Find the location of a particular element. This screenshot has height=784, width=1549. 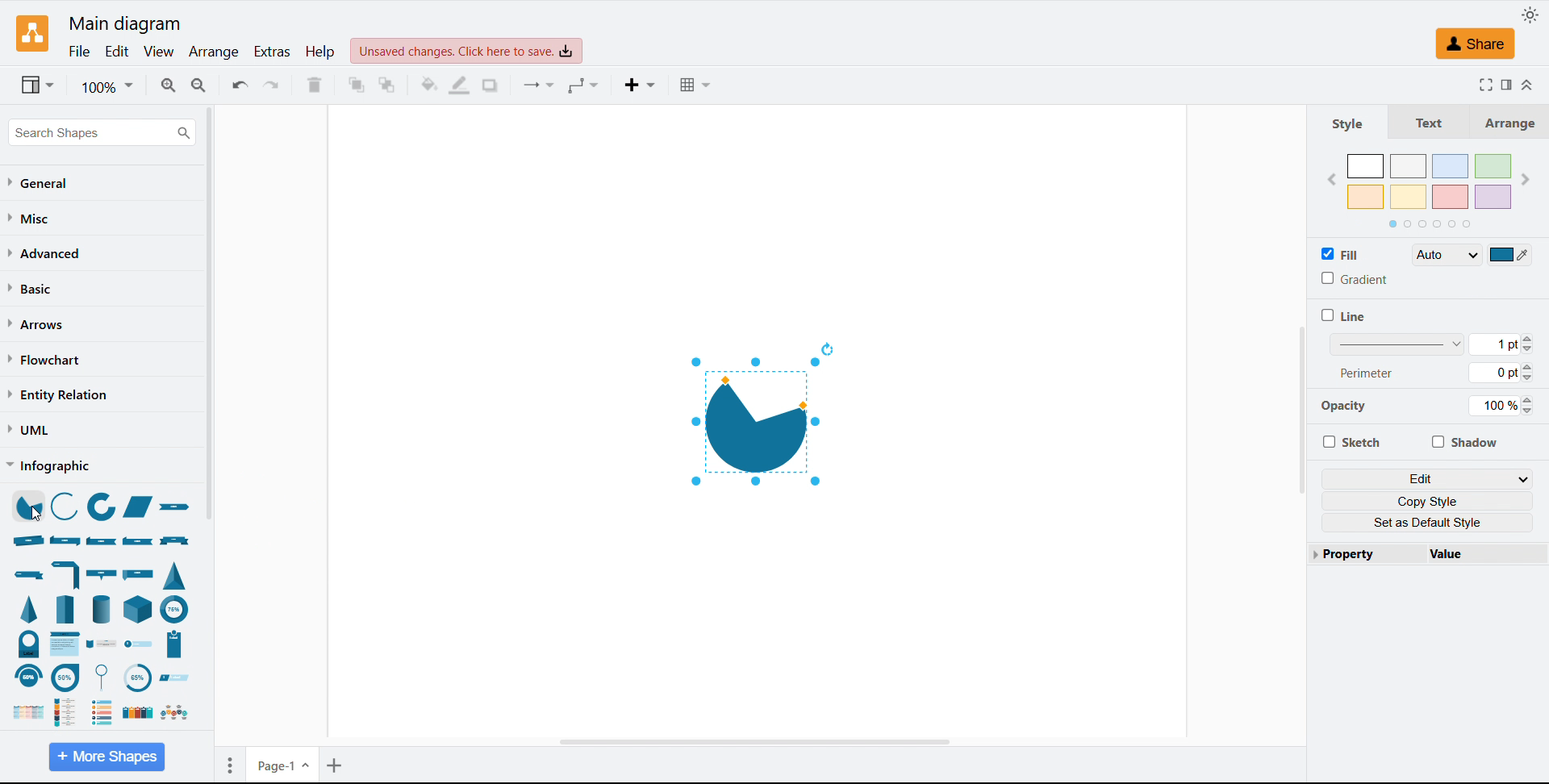

To front  is located at coordinates (356, 85).